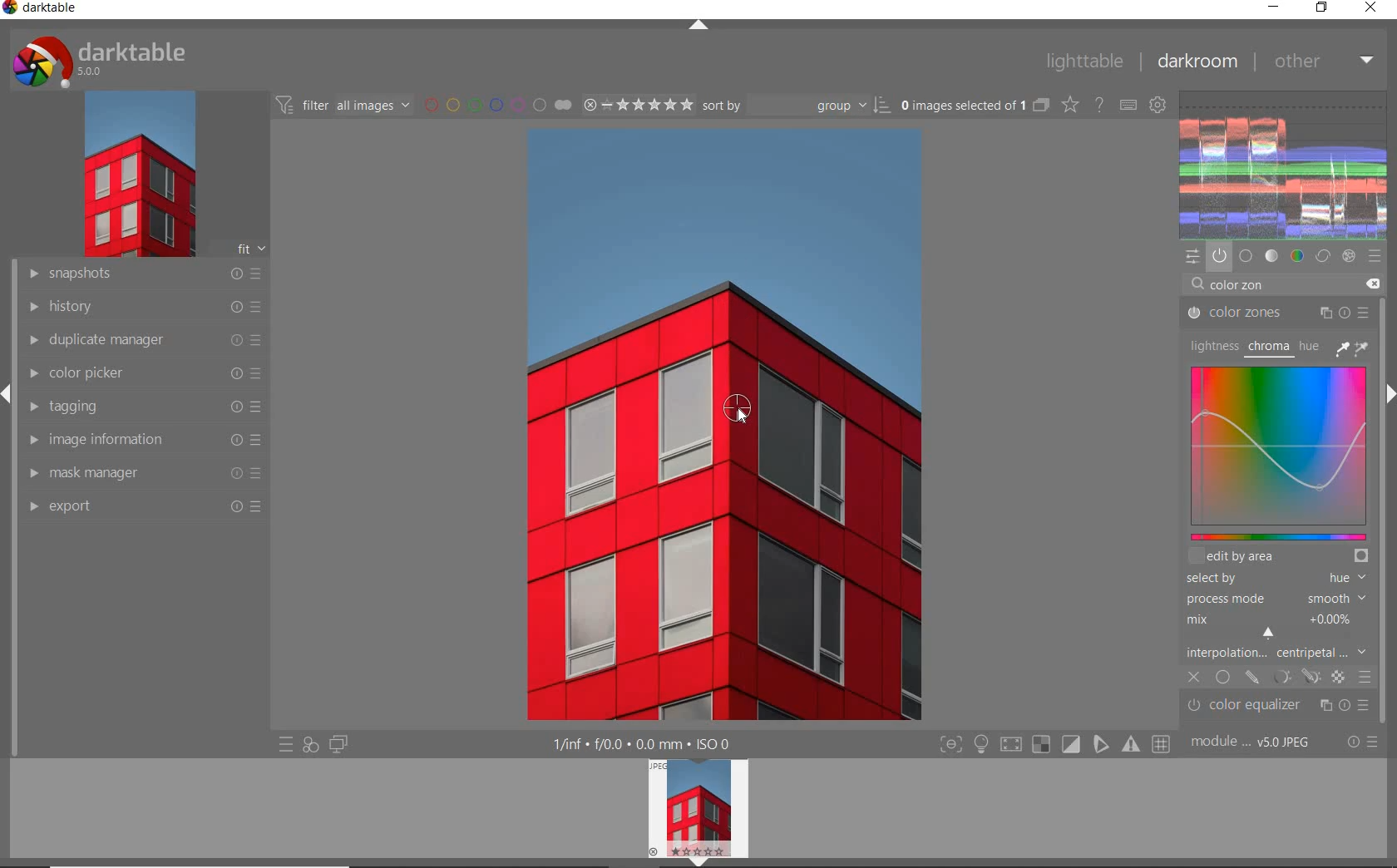  What do you see at coordinates (142, 376) in the screenshot?
I see `color picker` at bounding box center [142, 376].